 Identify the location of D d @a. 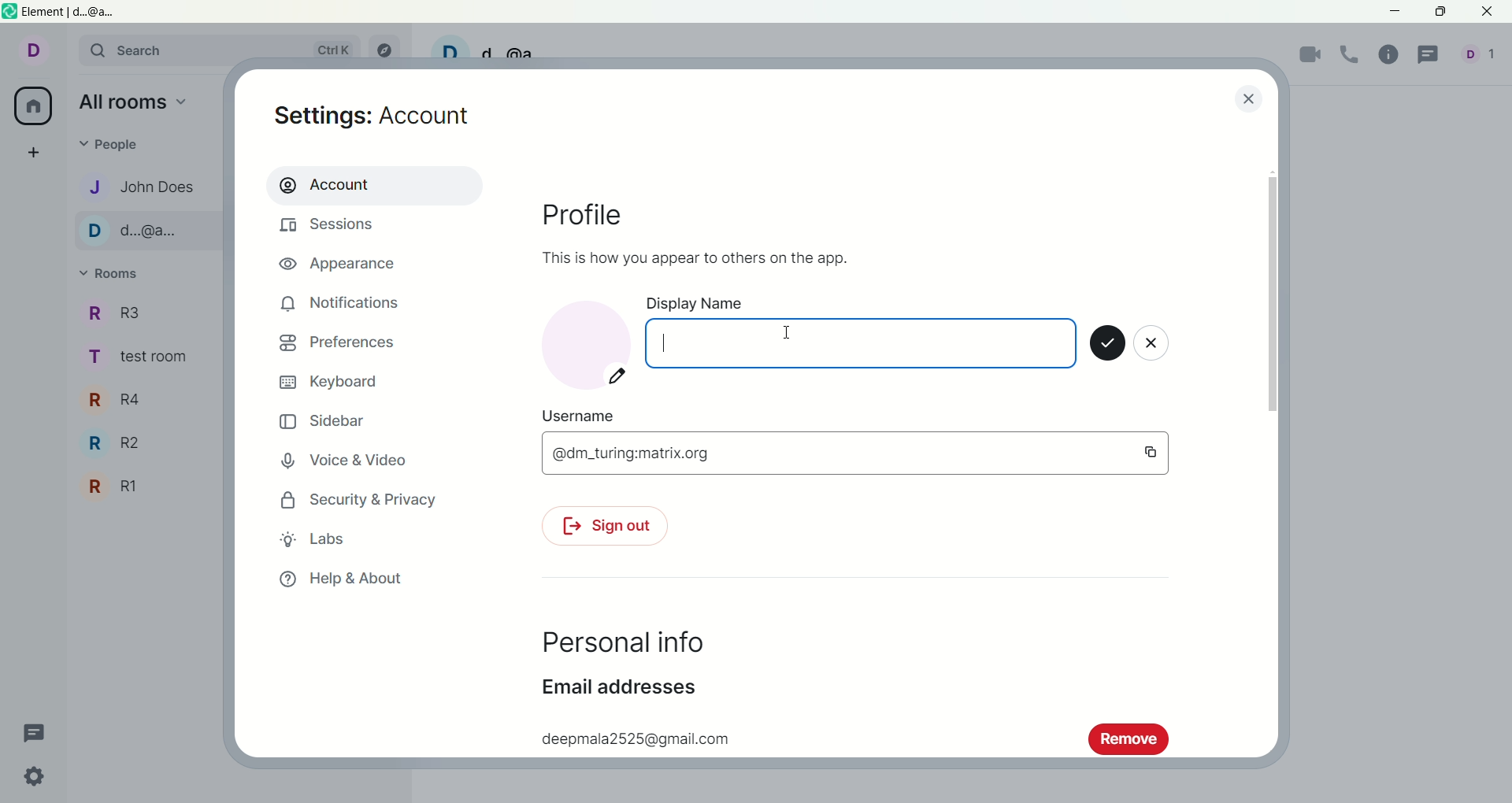
(495, 47).